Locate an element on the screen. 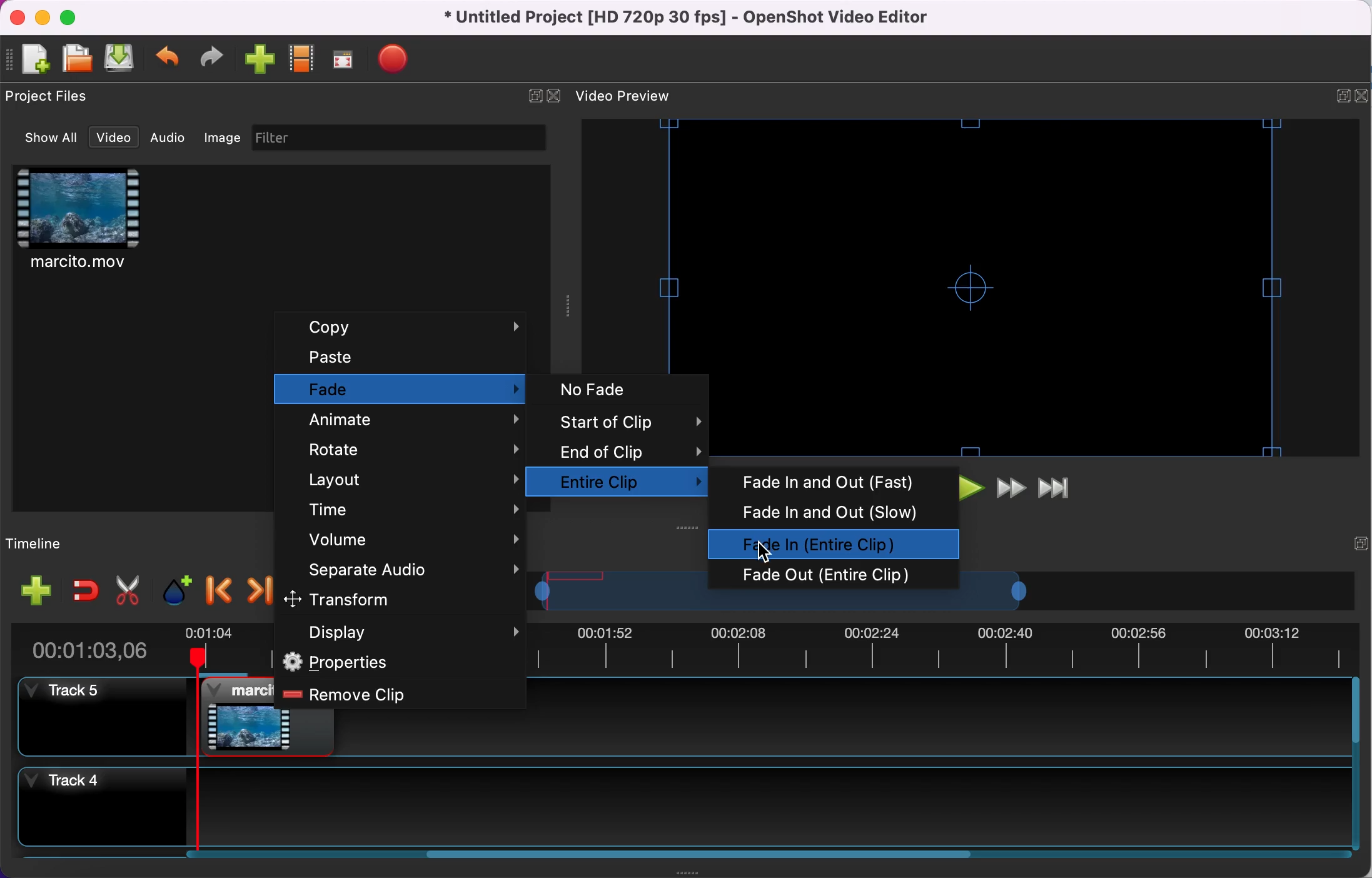 The height and width of the screenshot is (878, 1372). export file is located at coordinates (408, 59).